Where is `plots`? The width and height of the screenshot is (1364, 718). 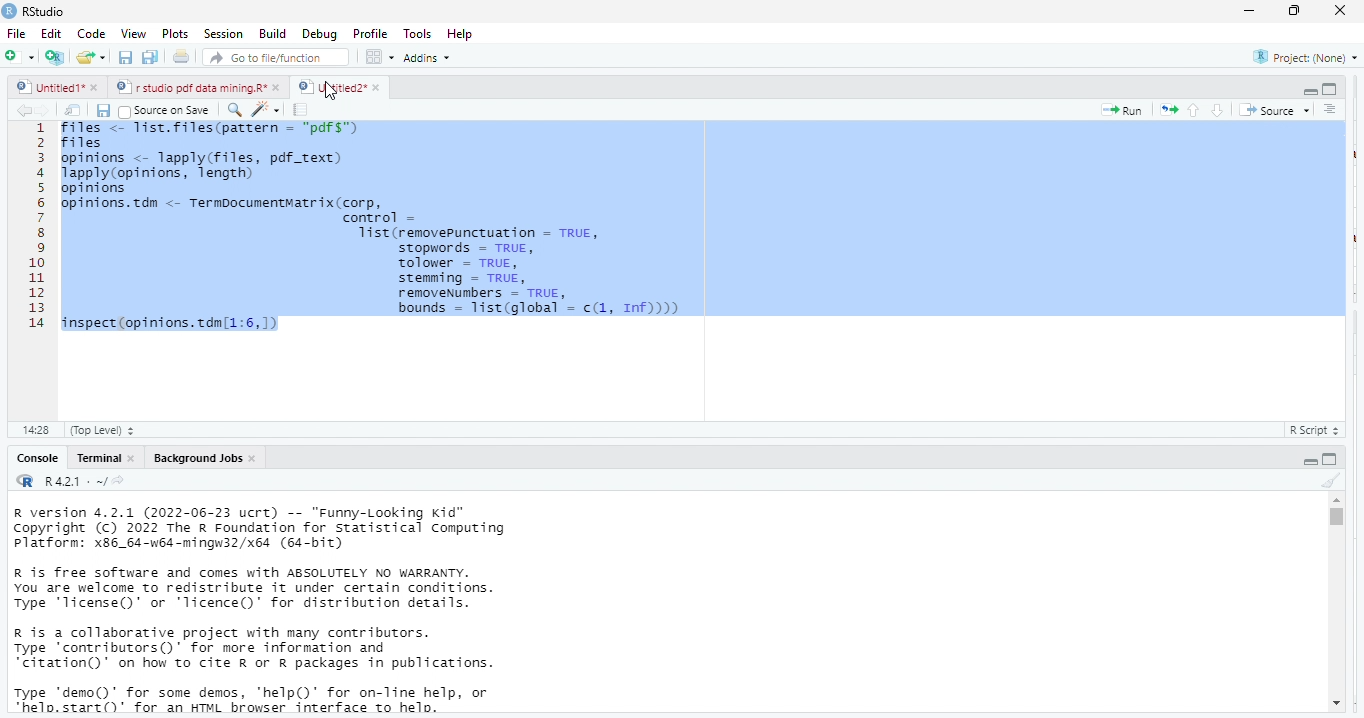 plots is located at coordinates (175, 34).